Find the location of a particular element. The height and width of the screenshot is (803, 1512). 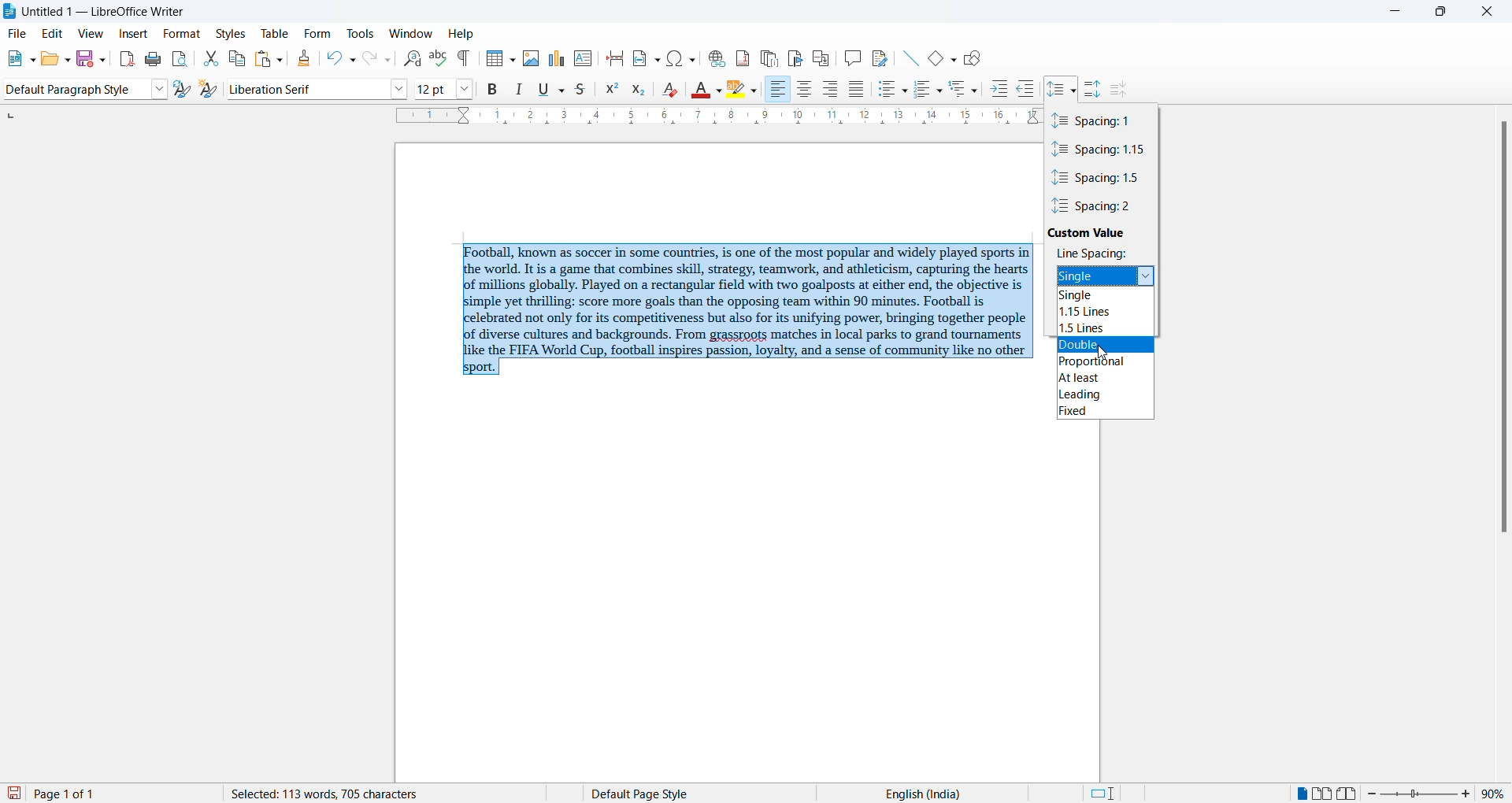

print preview is located at coordinates (182, 58).